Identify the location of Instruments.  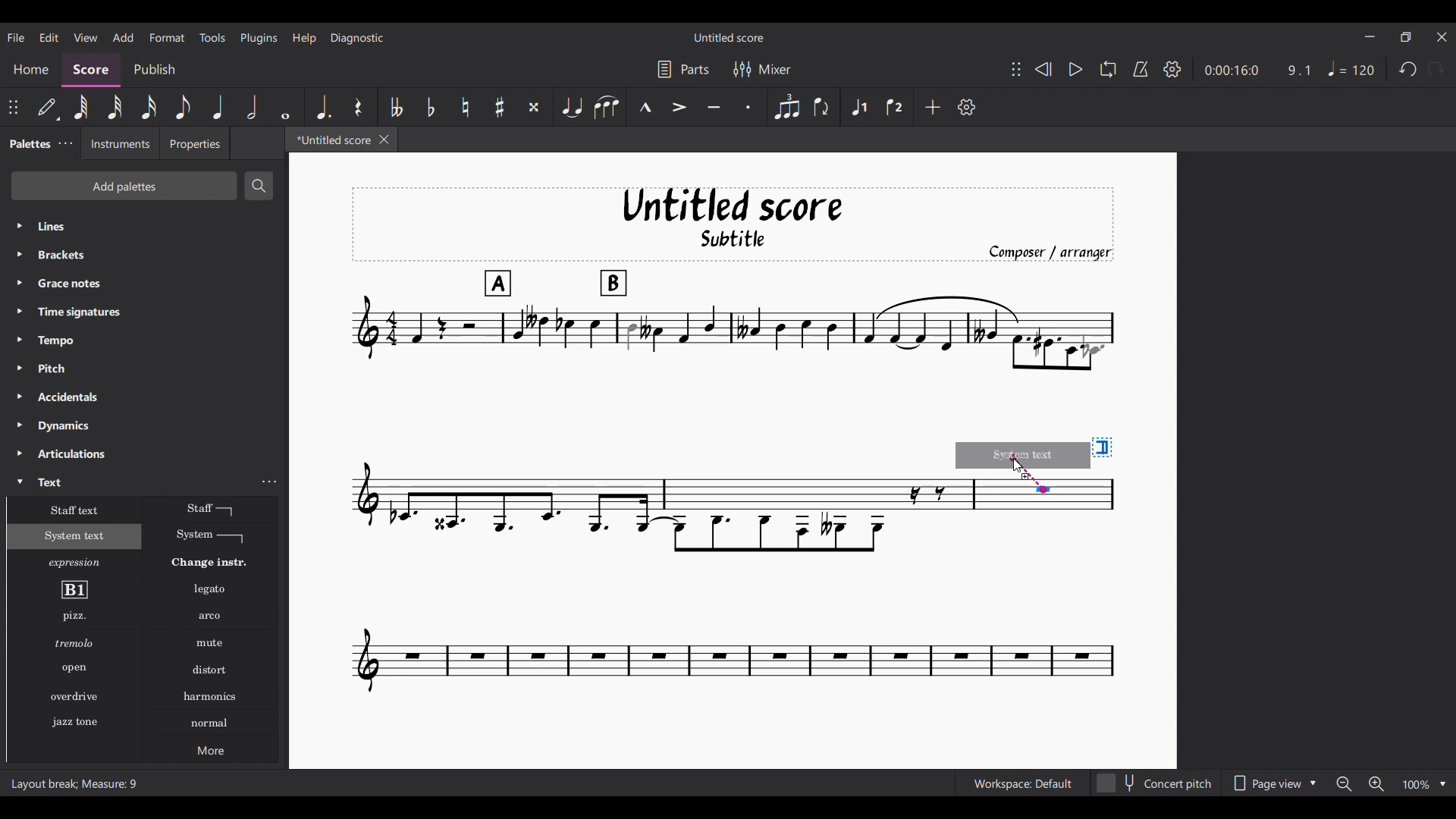
(119, 143).